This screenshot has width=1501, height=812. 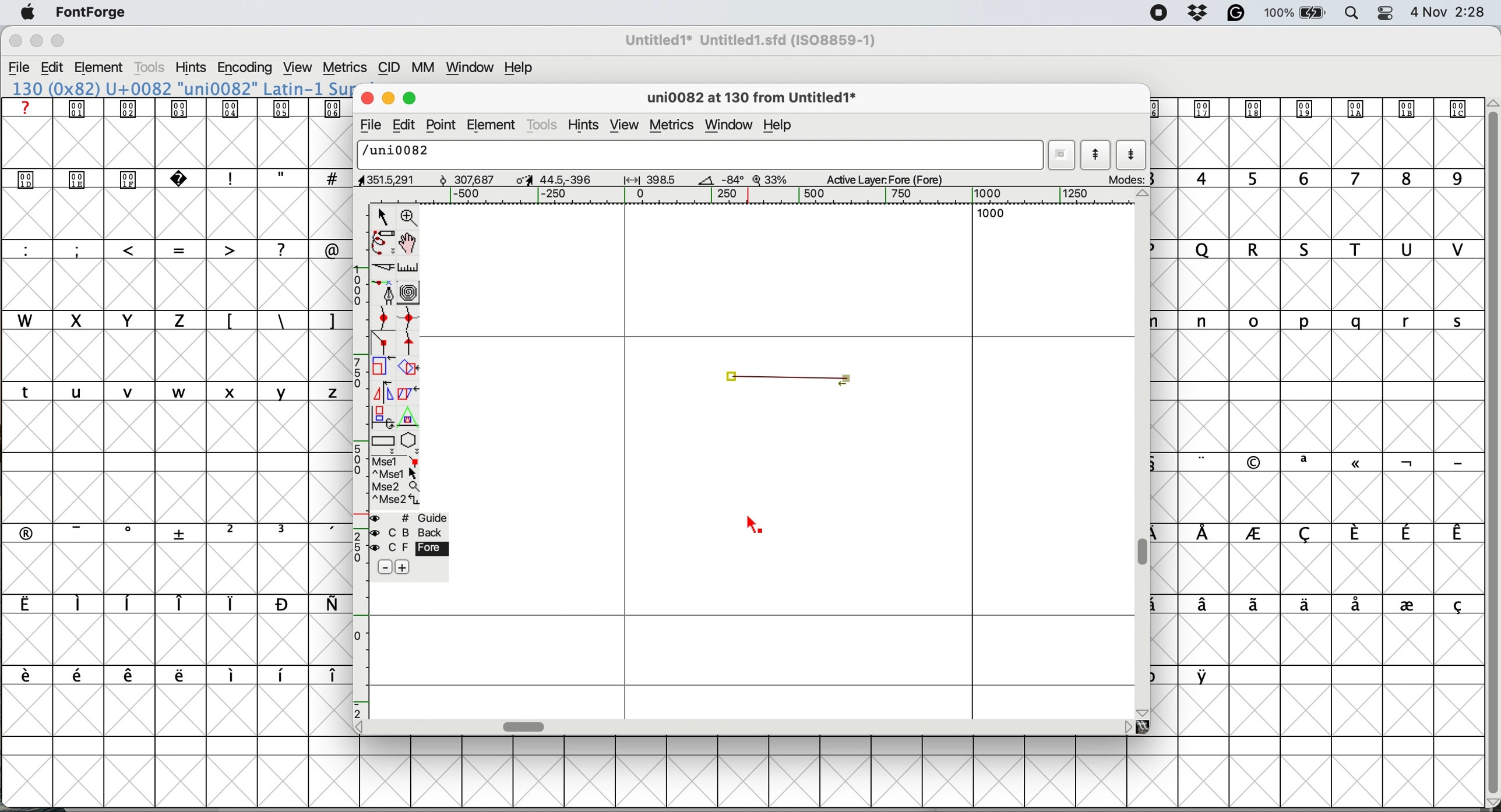 I want to click on fontforge, so click(x=92, y=12).